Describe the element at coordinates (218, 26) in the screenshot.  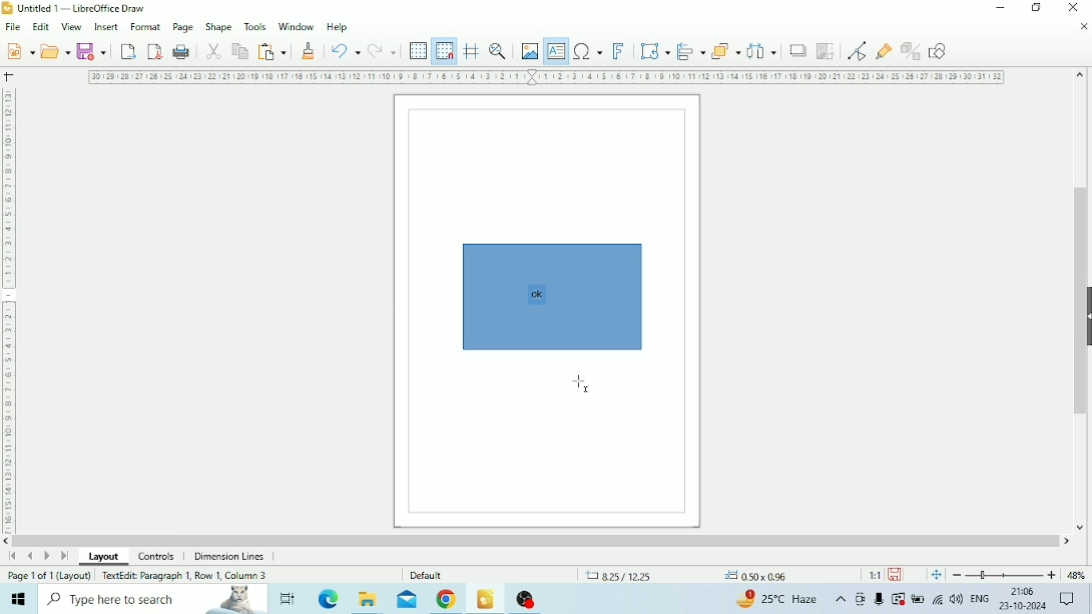
I see `Shape` at that location.